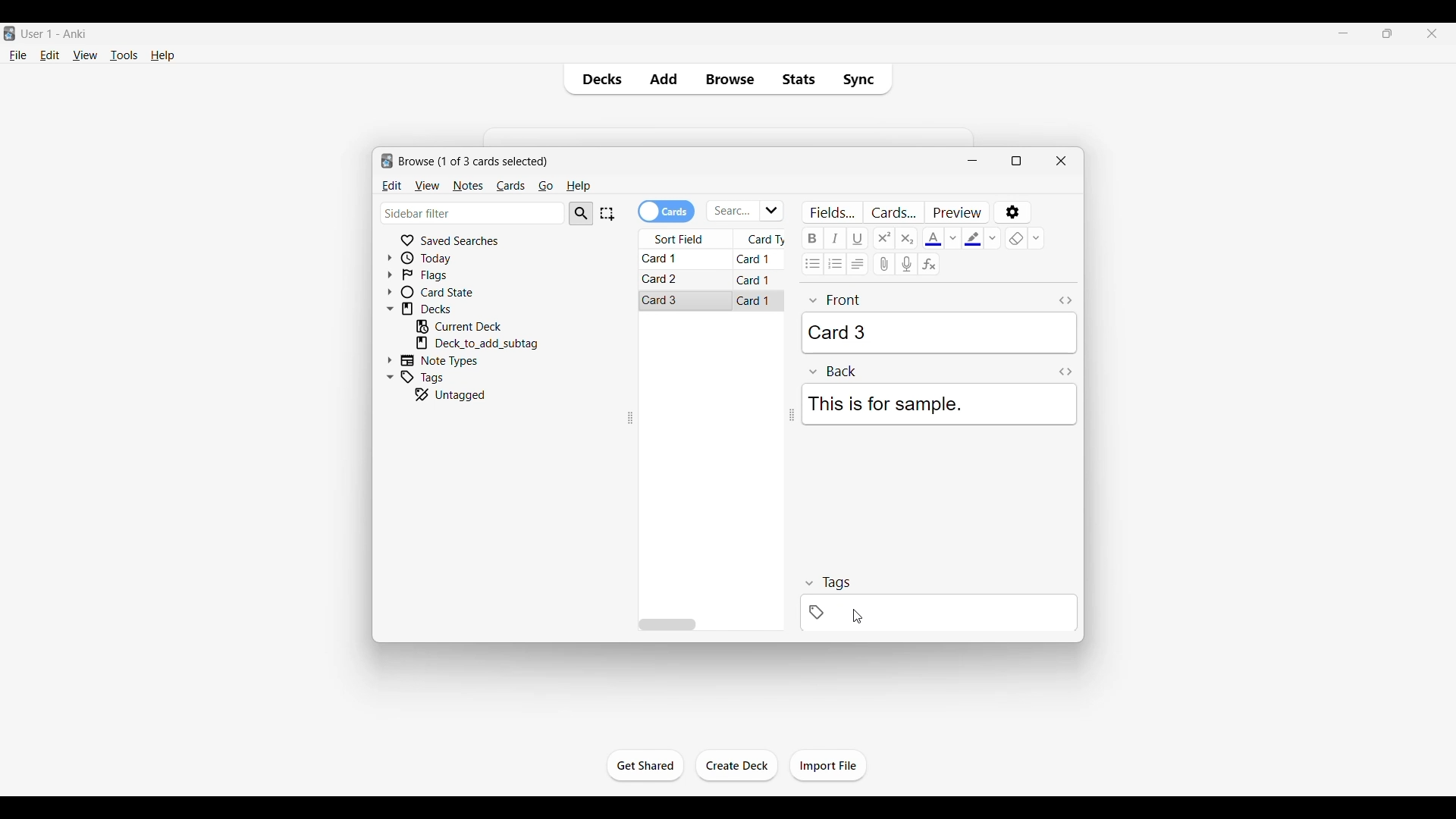  Describe the element at coordinates (812, 264) in the screenshot. I see `Unordered list` at that location.